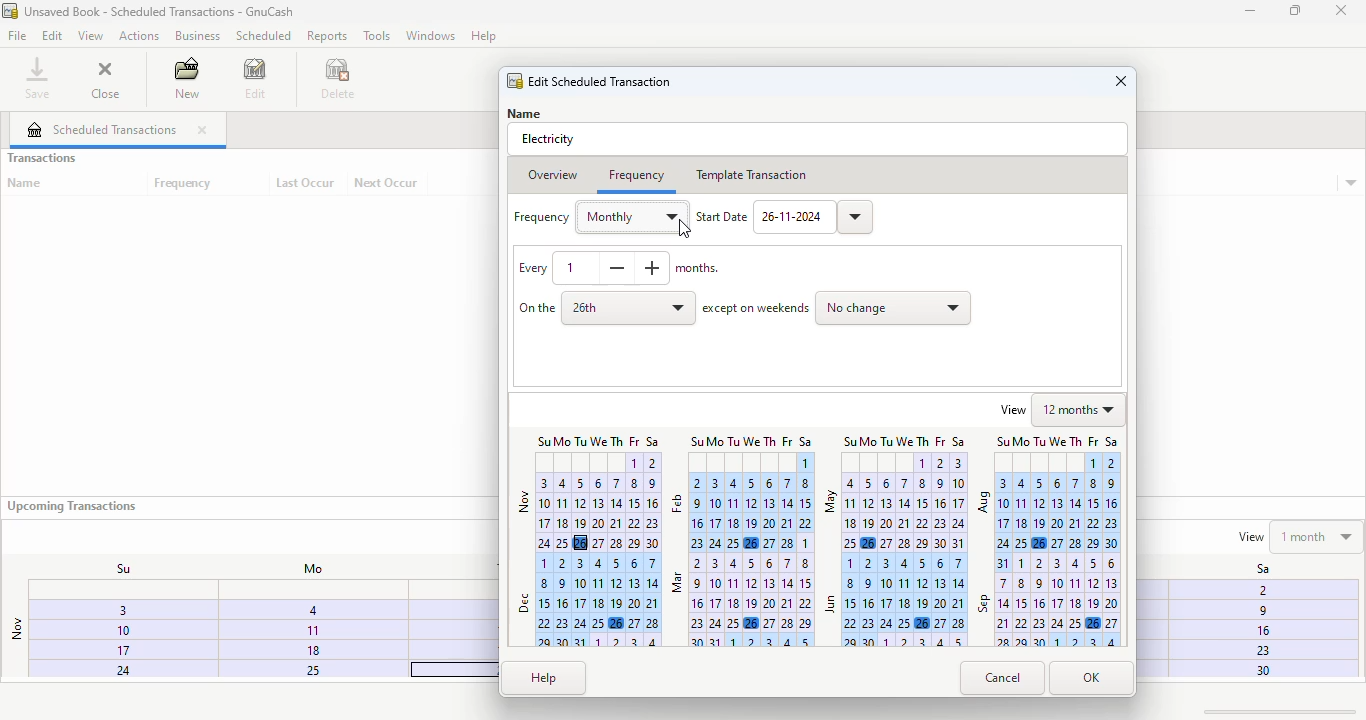 This screenshot has width=1366, height=720. Describe the element at coordinates (1351, 184) in the screenshot. I see `transaction details` at that location.